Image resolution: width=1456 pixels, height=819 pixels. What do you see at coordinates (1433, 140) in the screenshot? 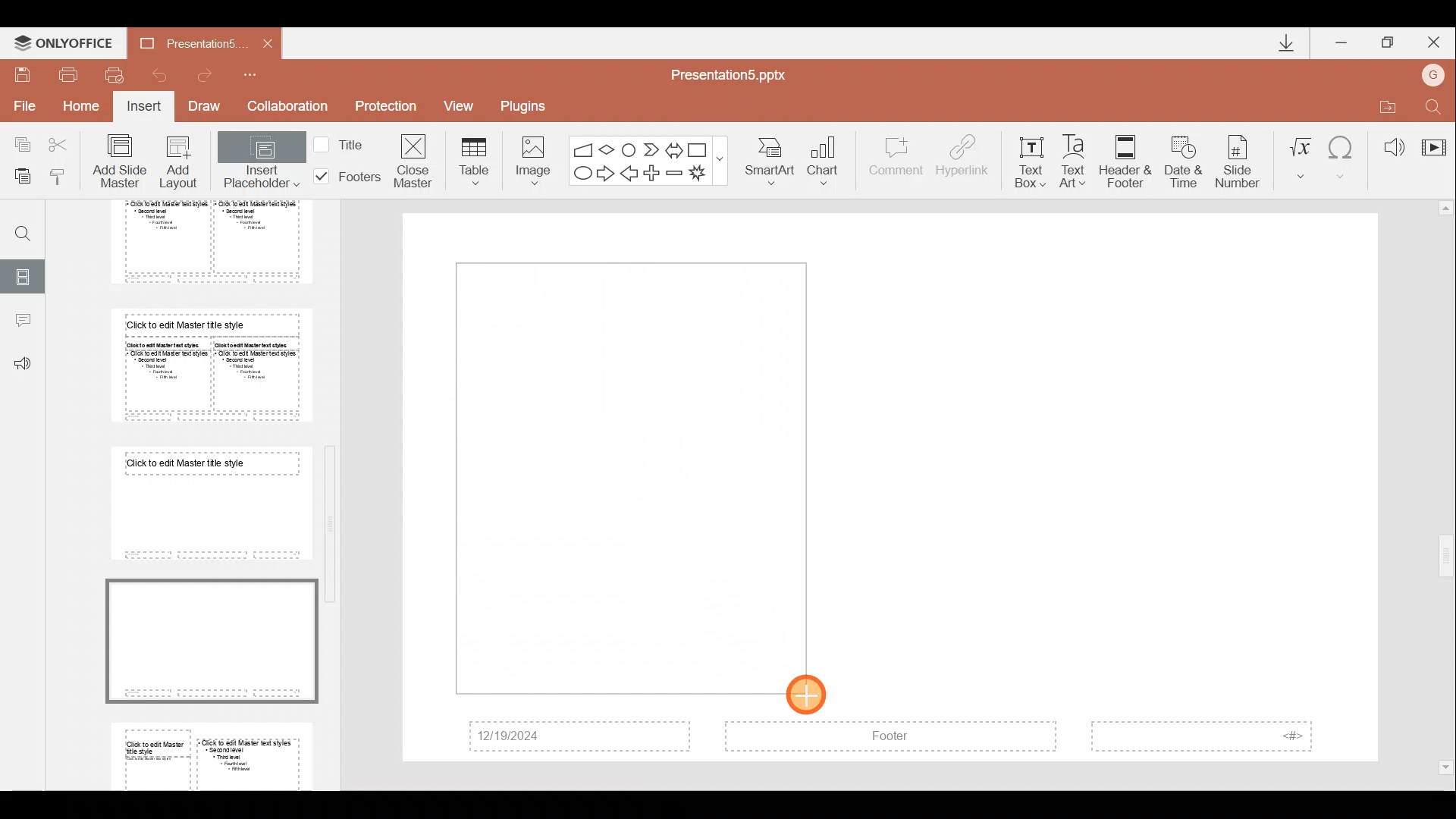
I see `Video` at bounding box center [1433, 140].